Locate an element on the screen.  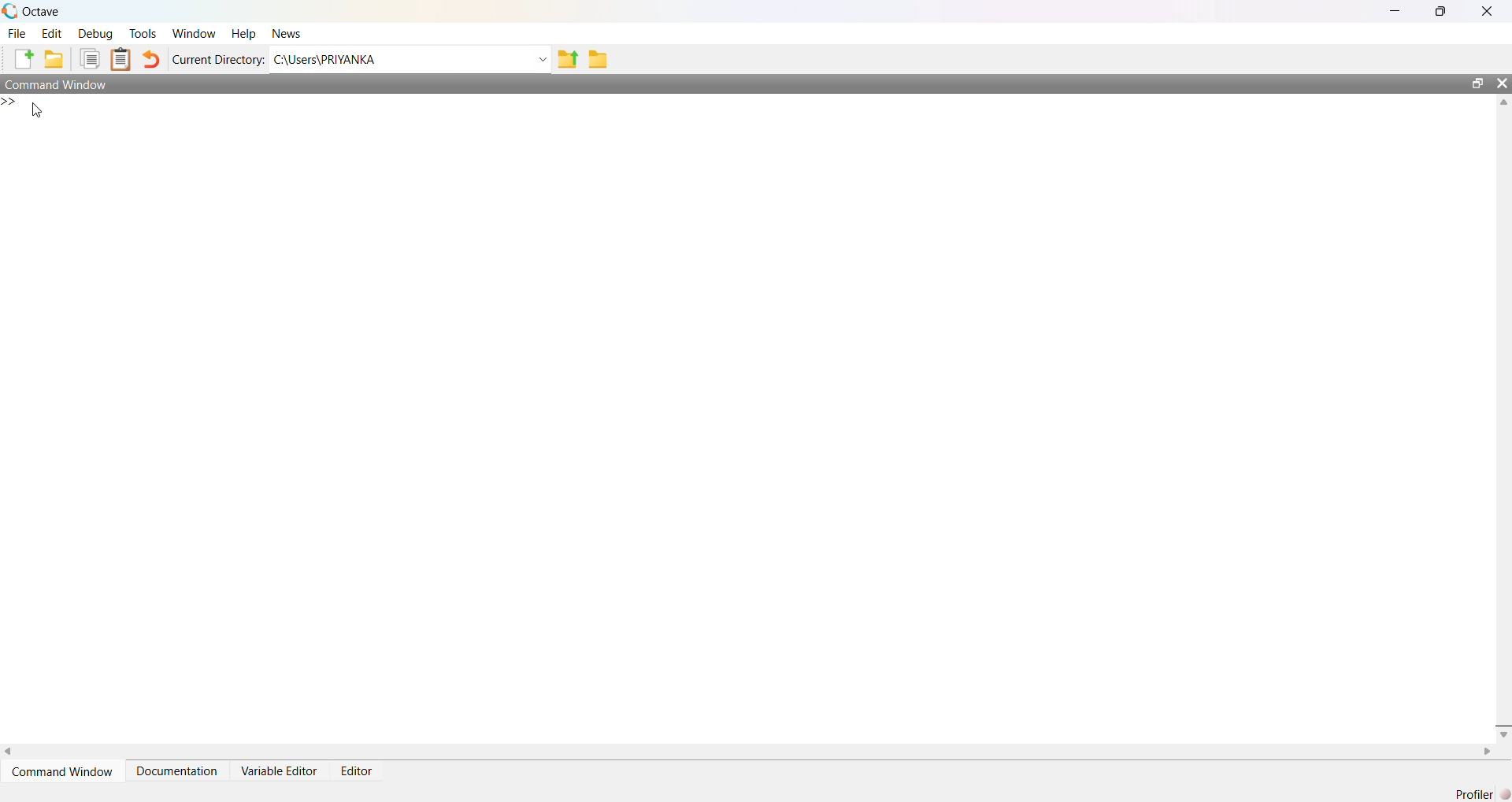
add file is located at coordinates (25, 60).